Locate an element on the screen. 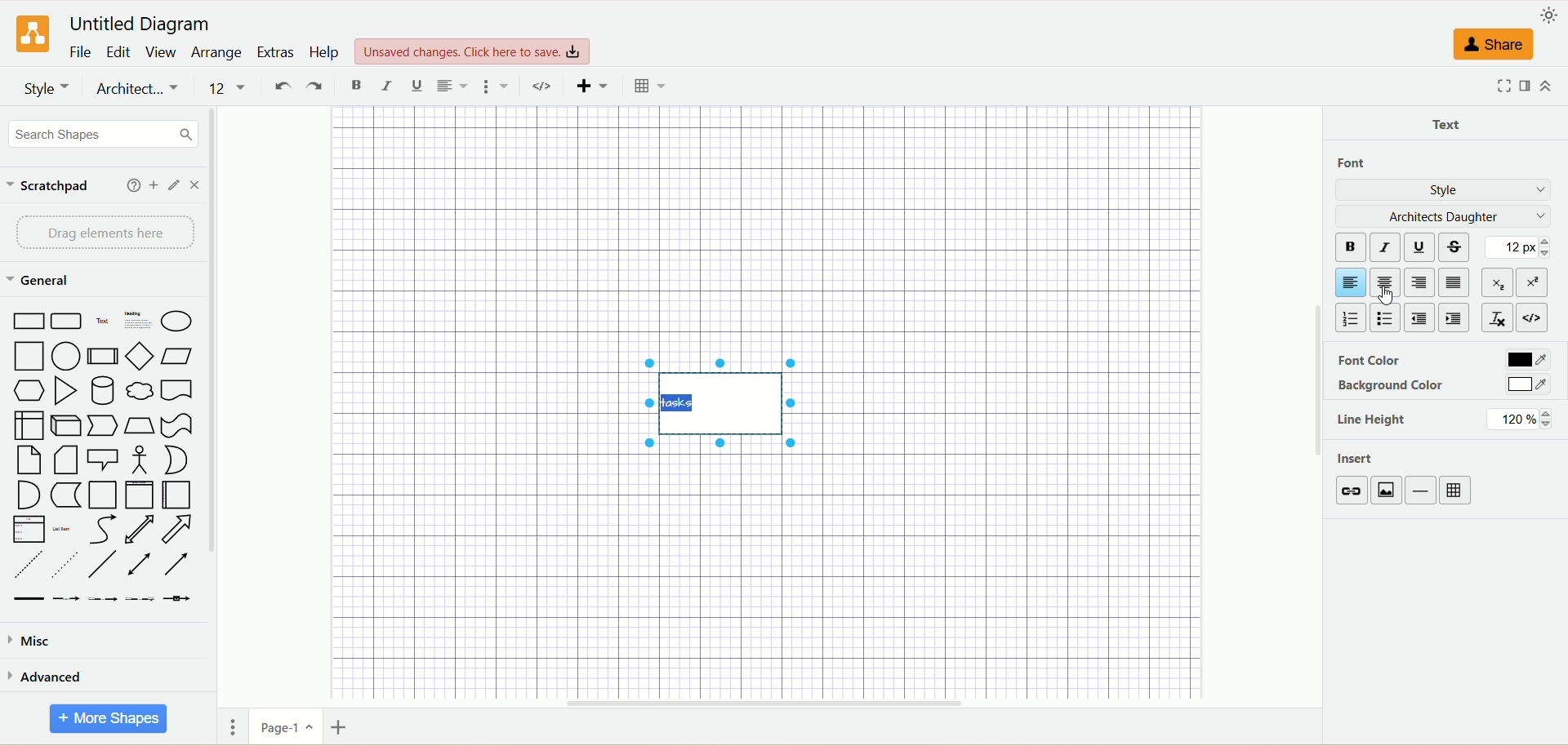 This screenshot has height=746, width=1568. tasks is located at coordinates (724, 405).